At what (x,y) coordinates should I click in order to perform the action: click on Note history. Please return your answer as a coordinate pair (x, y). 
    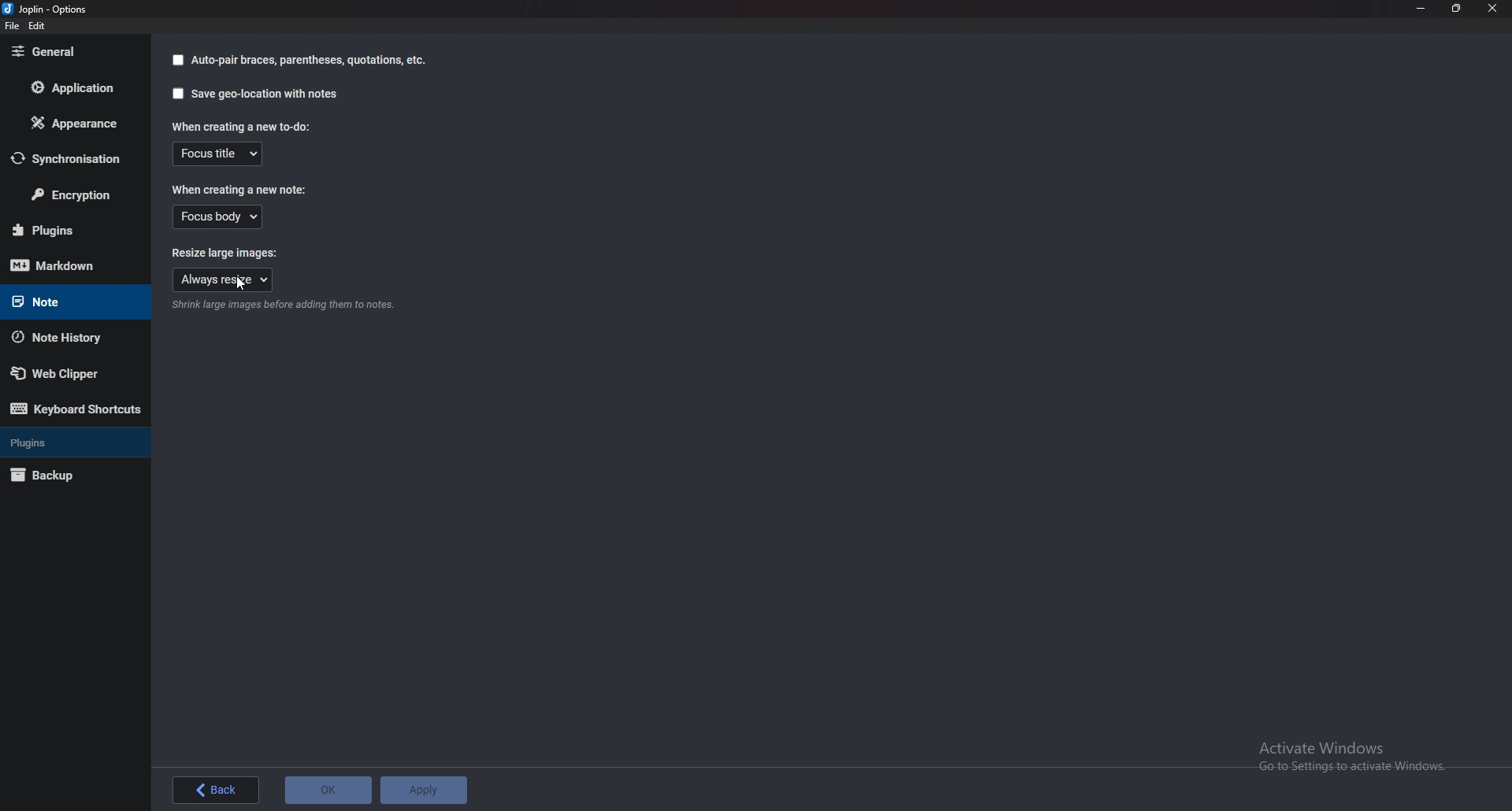
    Looking at the image, I should click on (65, 337).